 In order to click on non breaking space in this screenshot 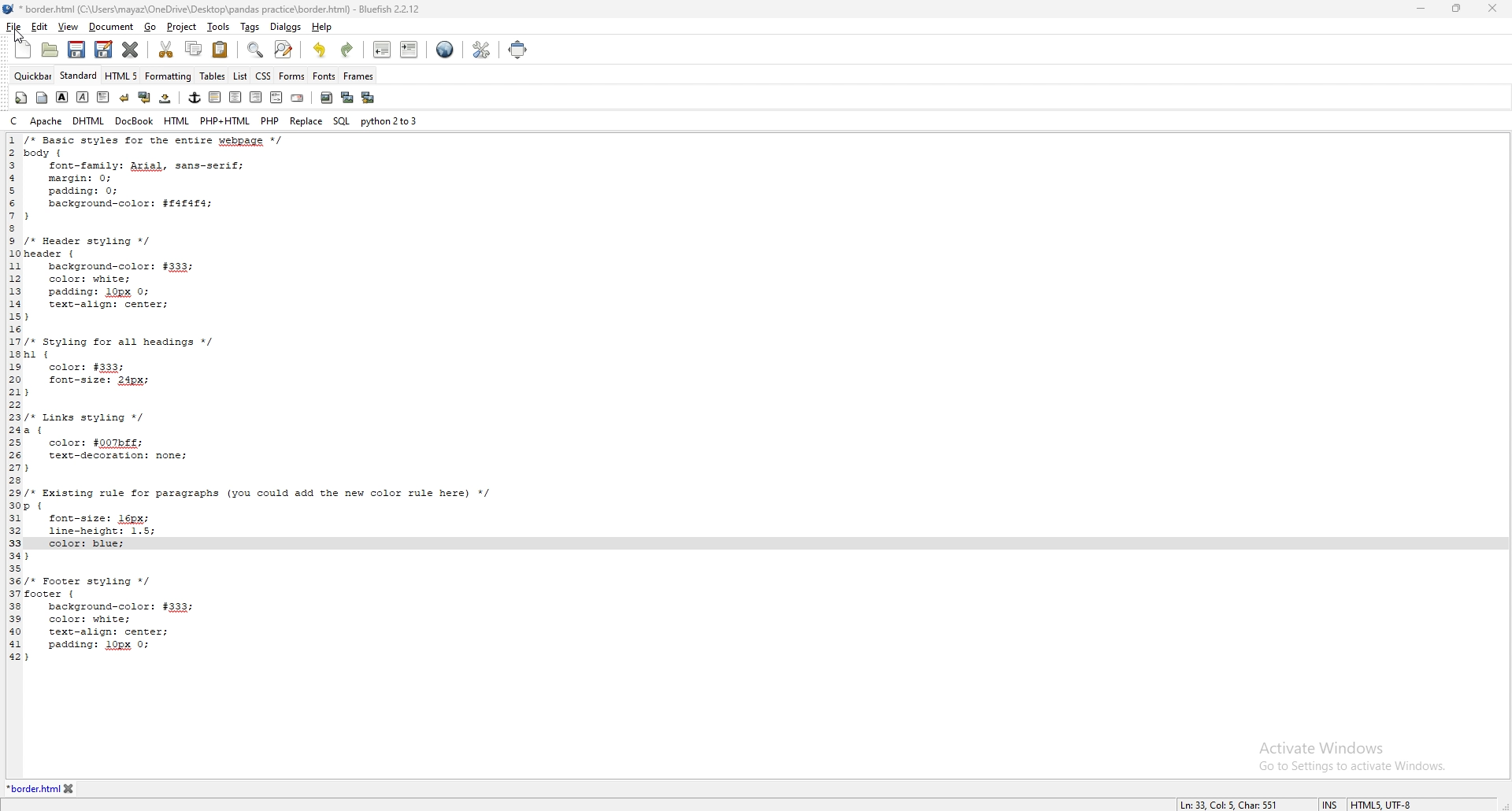, I will do `click(165, 98)`.